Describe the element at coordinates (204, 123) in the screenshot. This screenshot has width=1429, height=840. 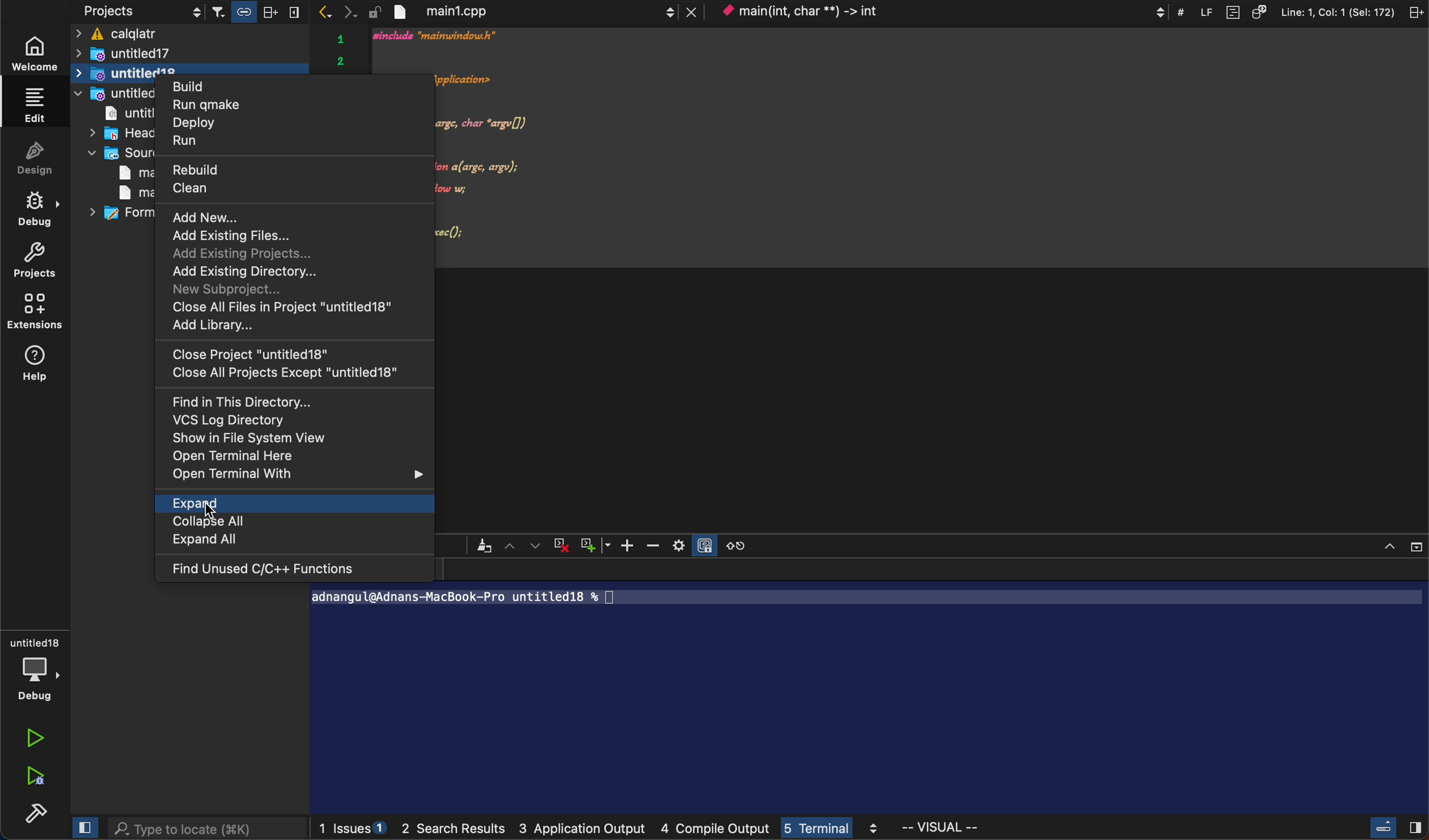
I see `deploy` at that location.